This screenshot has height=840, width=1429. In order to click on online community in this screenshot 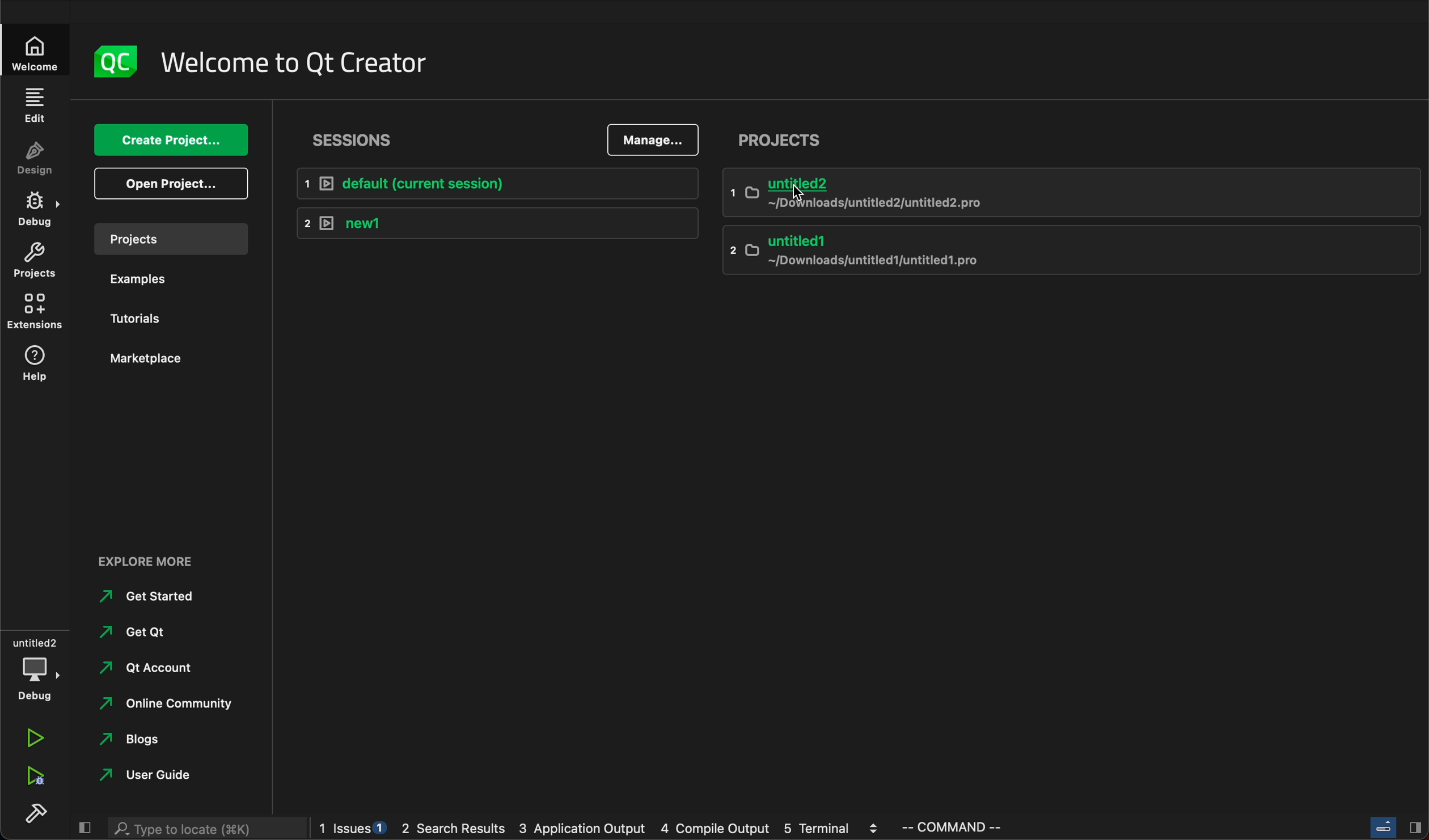, I will do `click(169, 705)`.